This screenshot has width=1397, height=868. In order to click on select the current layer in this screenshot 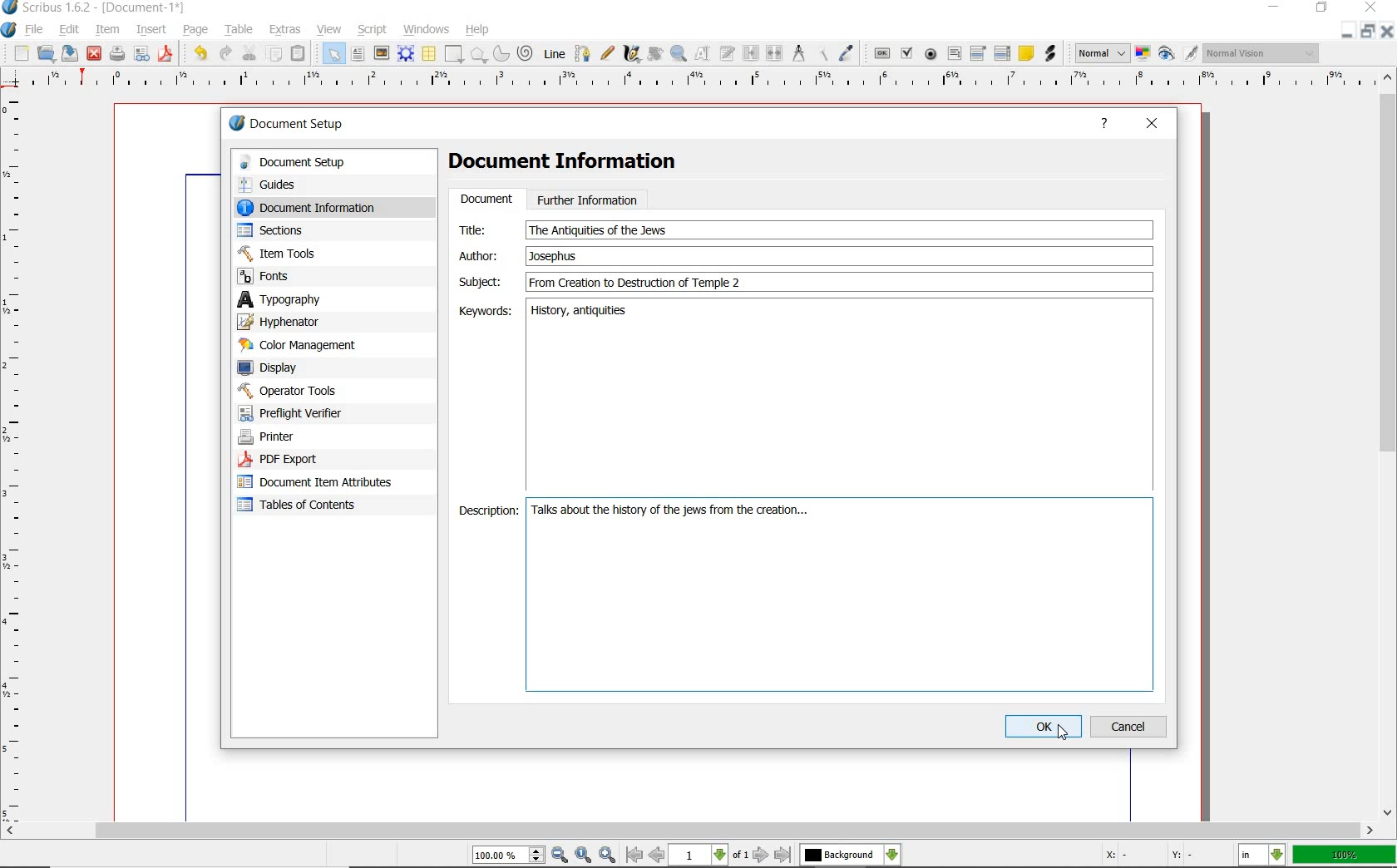, I will do `click(851, 855)`.